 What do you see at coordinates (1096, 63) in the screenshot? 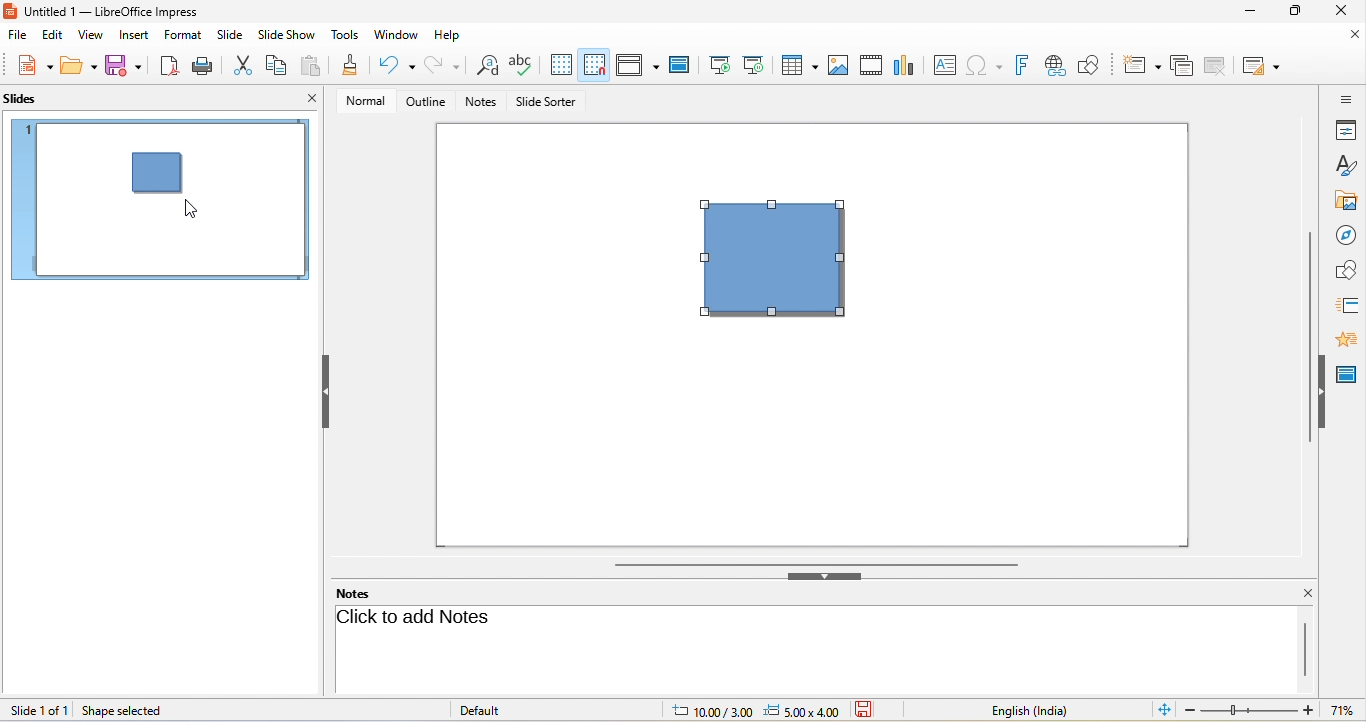
I see `show draw function` at bounding box center [1096, 63].